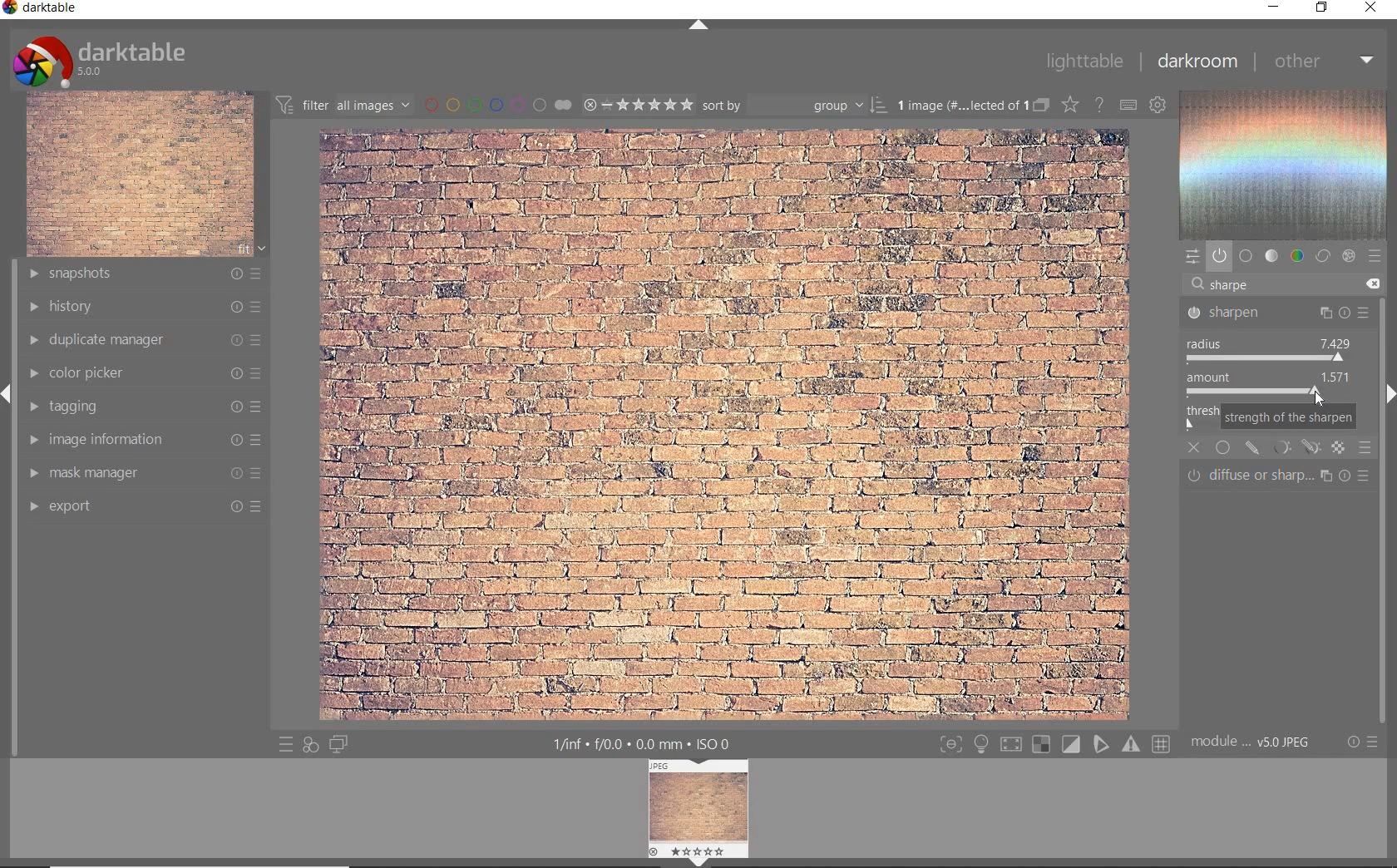 The width and height of the screenshot is (1397, 868). What do you see at coordinates (1375, 284) in the screenshot?
I see `DELETED` at bounding box center [1375, 284].